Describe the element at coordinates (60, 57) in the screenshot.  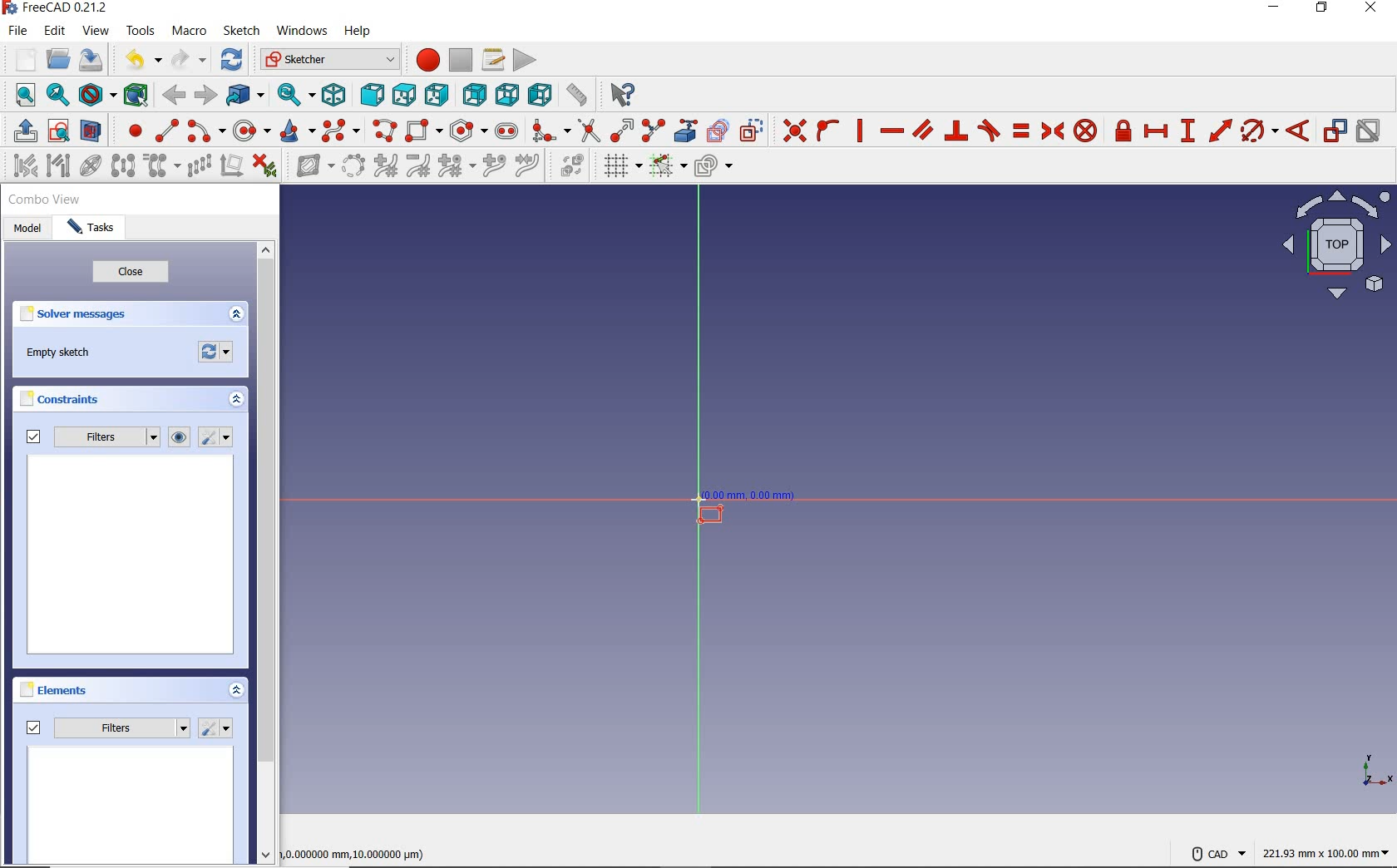
I see `open` at that location.